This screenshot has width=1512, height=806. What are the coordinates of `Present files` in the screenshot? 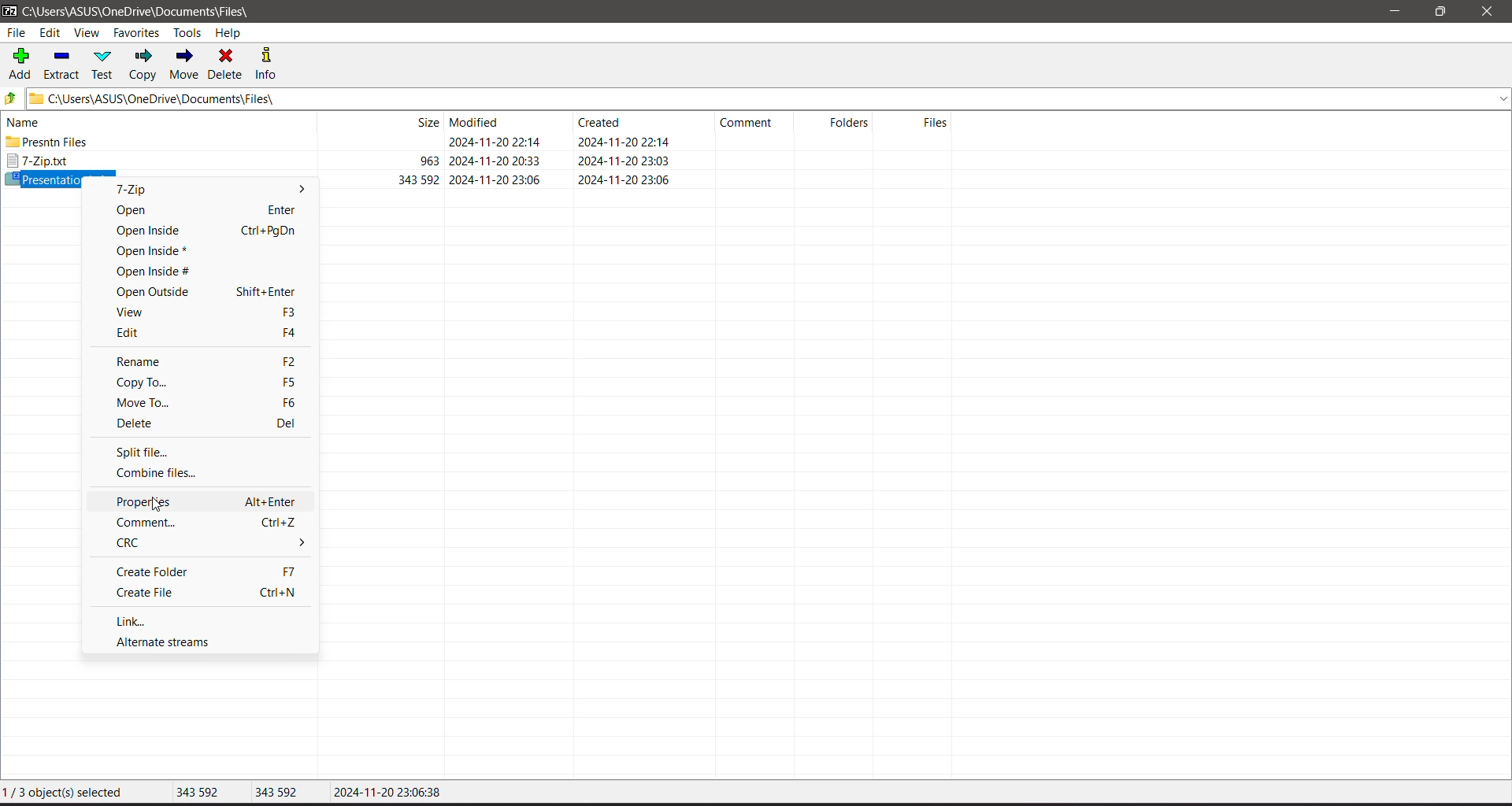 It's located at (340, 142).